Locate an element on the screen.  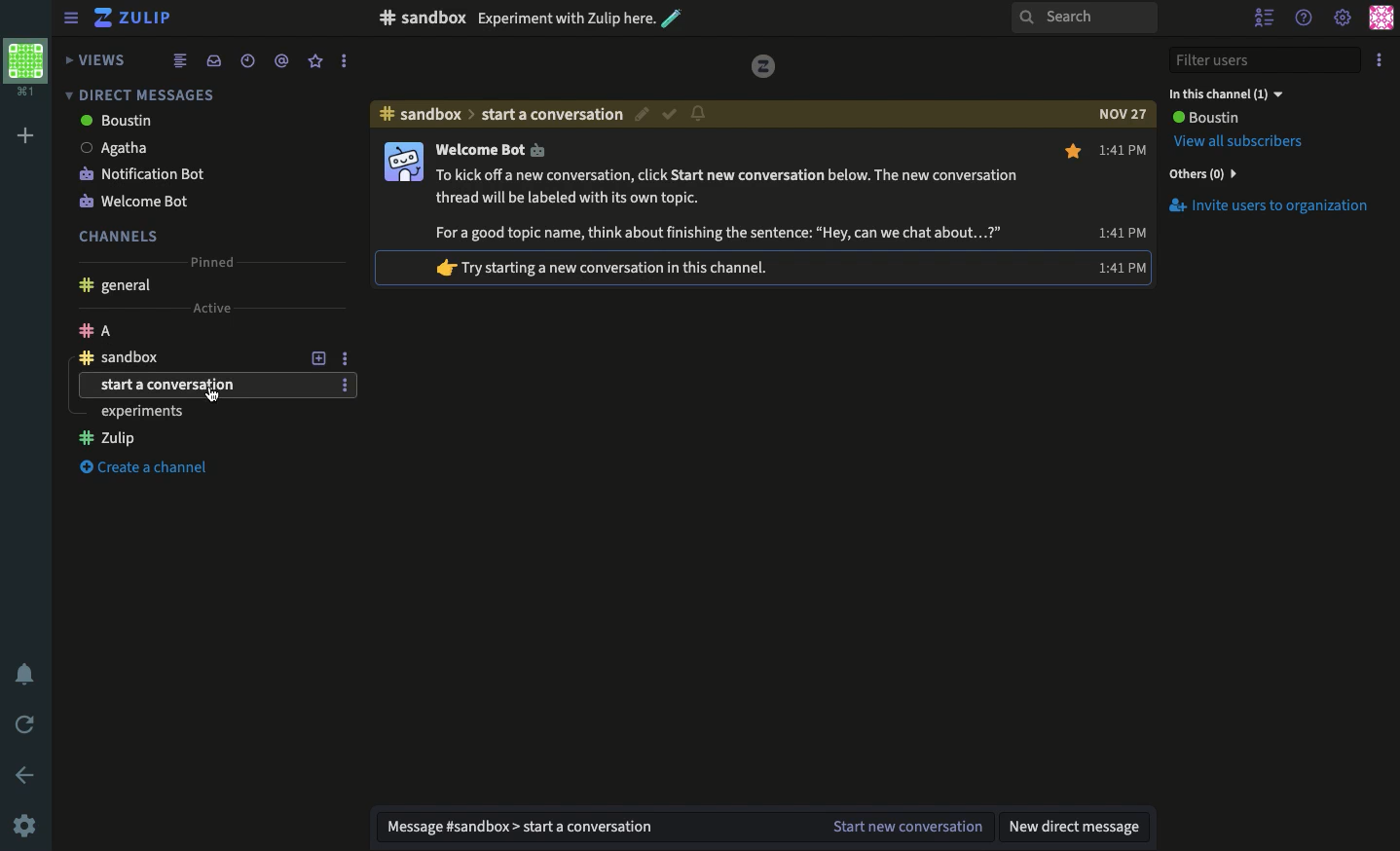
Experiment with zulip here is located at coordinates (580, 18).